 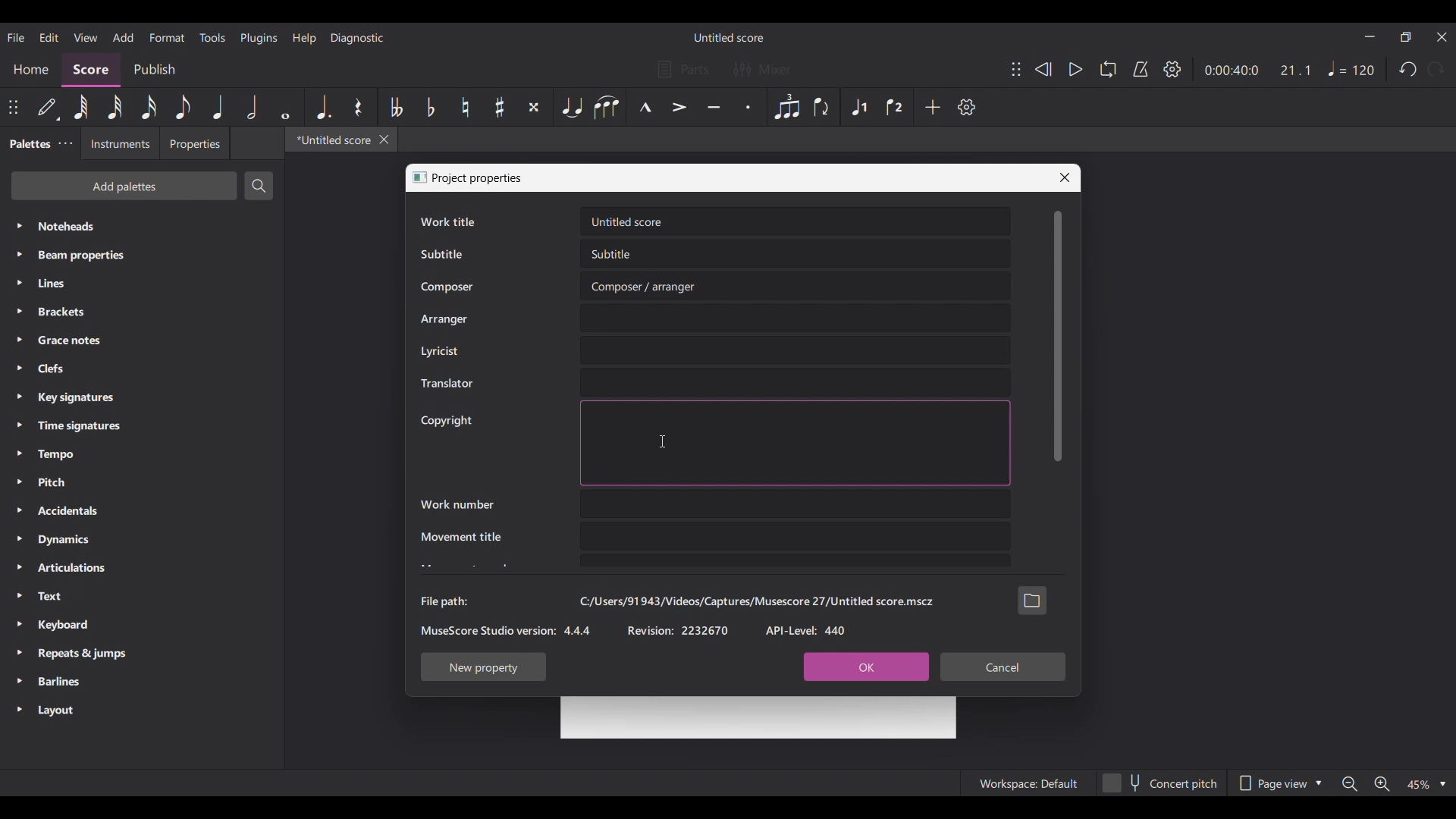 I want to click on Accidentals, so click(x=143, y=510).